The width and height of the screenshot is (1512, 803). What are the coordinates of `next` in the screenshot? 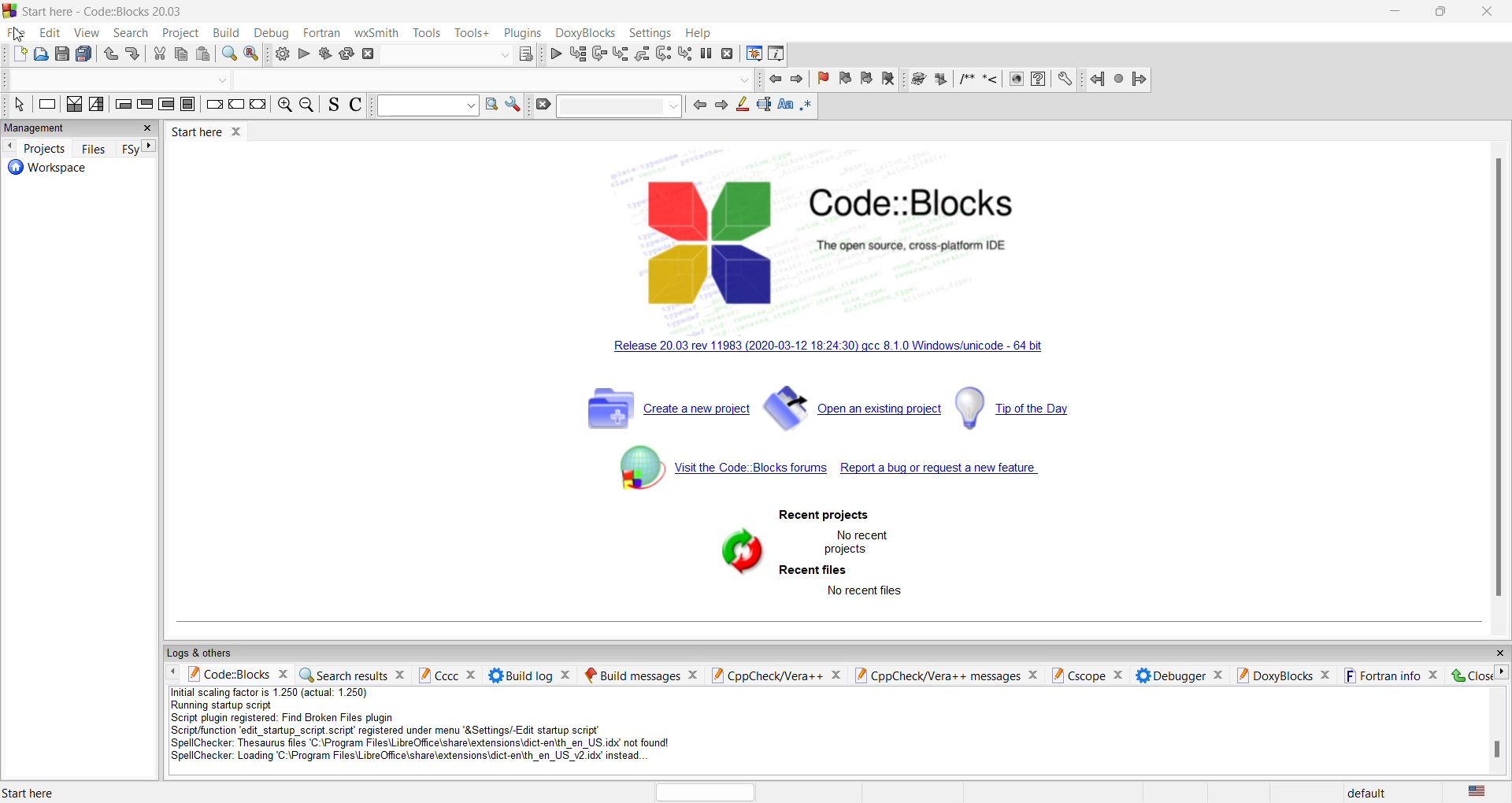 It's located at (720, 106).